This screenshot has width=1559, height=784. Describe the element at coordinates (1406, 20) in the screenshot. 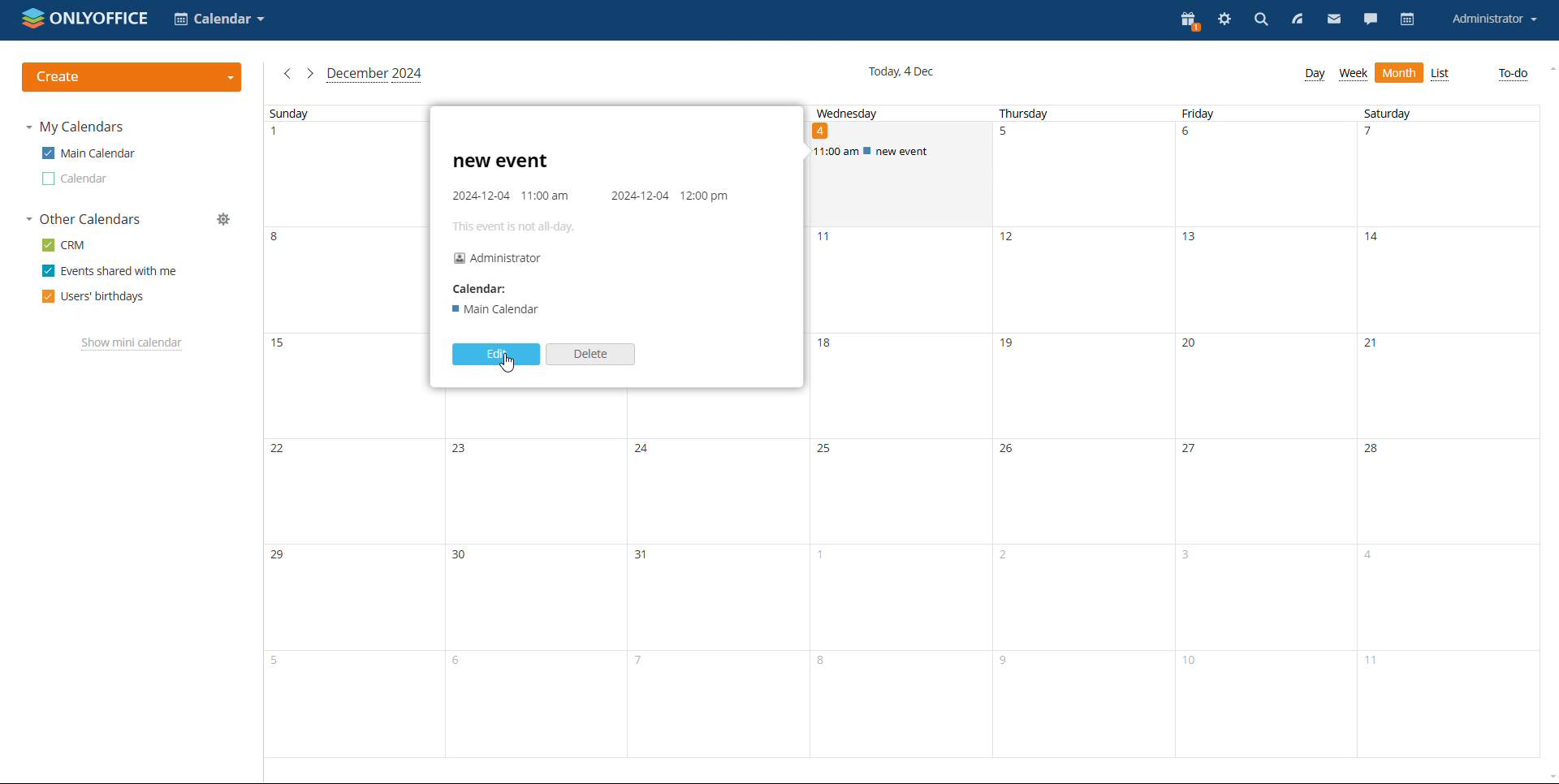

I see `calendar` at that location.